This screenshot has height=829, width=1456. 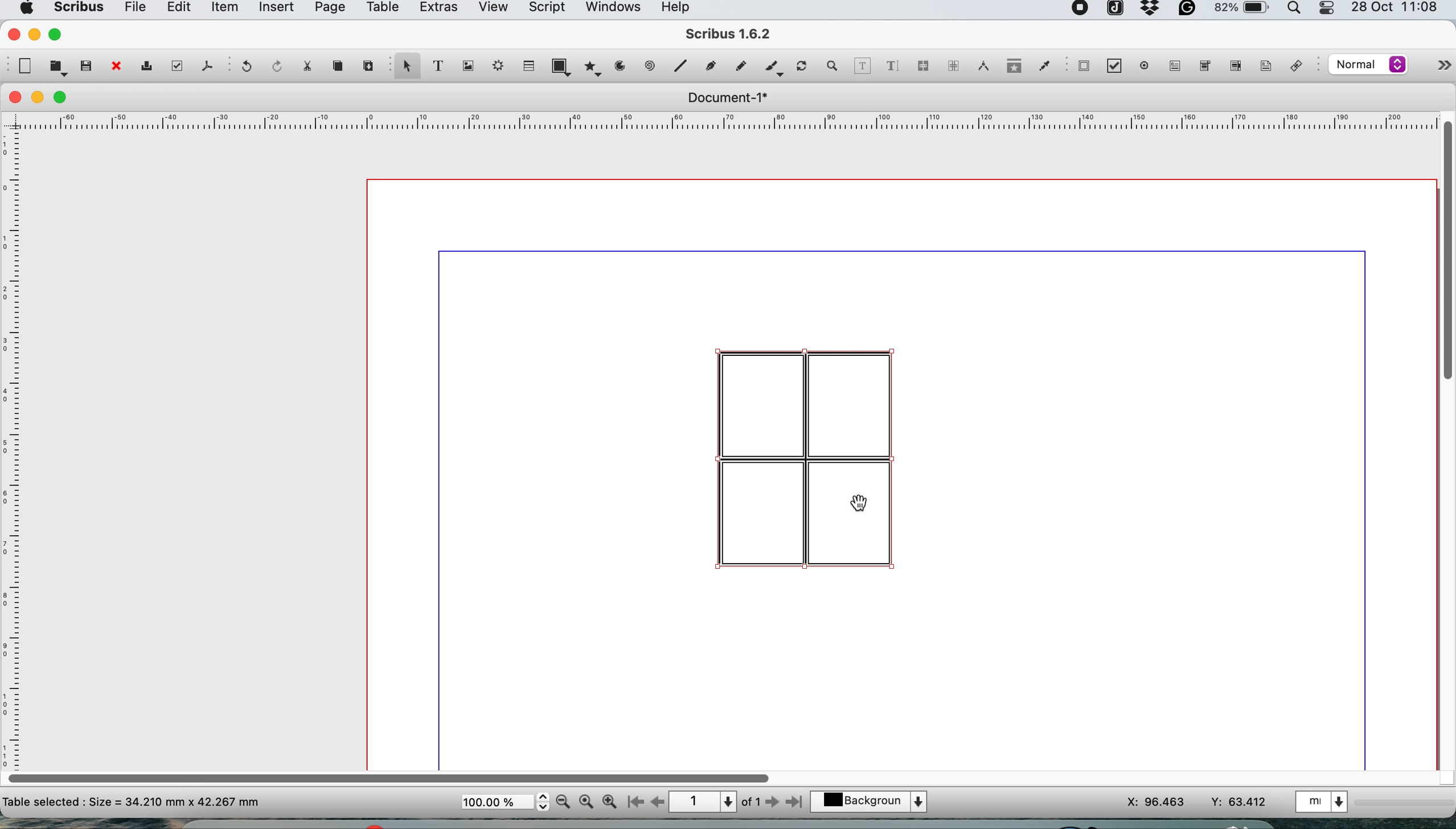 What do you see at coordinates (1240, 11) in the screenshot?
I see `battery` at bounding box center [1240, 11].